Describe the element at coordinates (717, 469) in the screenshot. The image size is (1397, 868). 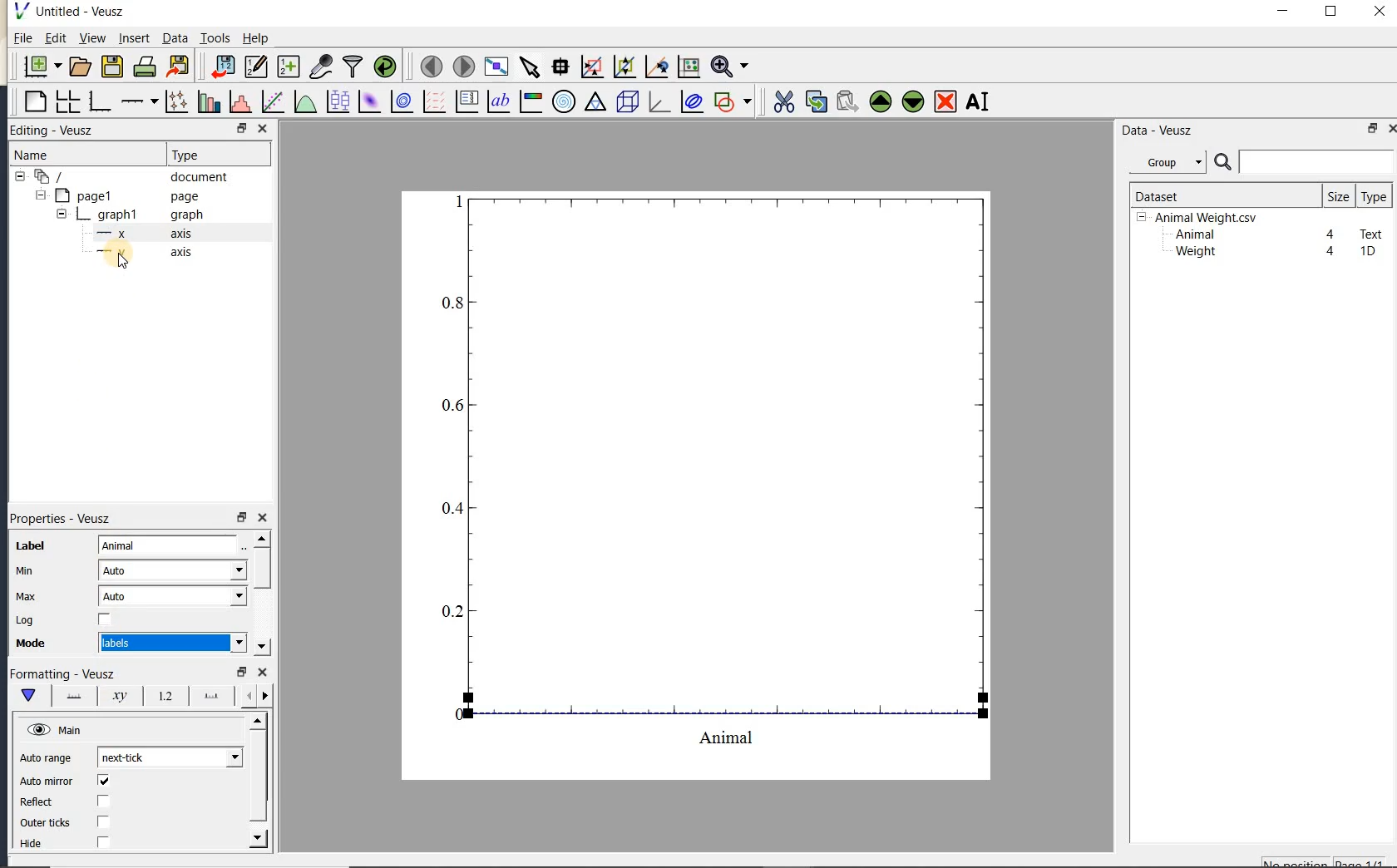
I see `graph` at that location.